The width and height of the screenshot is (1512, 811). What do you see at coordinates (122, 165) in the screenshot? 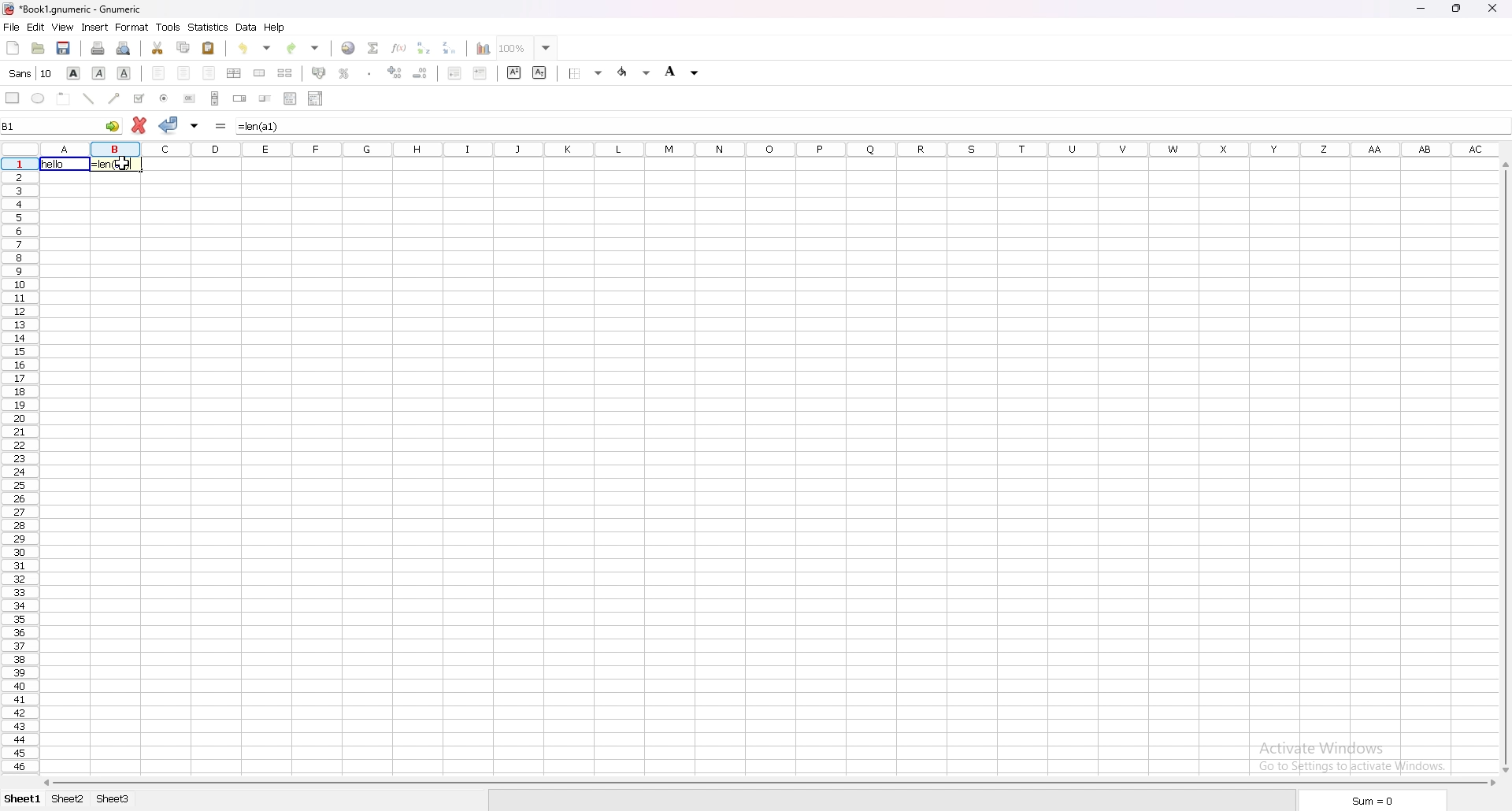
I see `cursor` at bounding box center [122, 165].